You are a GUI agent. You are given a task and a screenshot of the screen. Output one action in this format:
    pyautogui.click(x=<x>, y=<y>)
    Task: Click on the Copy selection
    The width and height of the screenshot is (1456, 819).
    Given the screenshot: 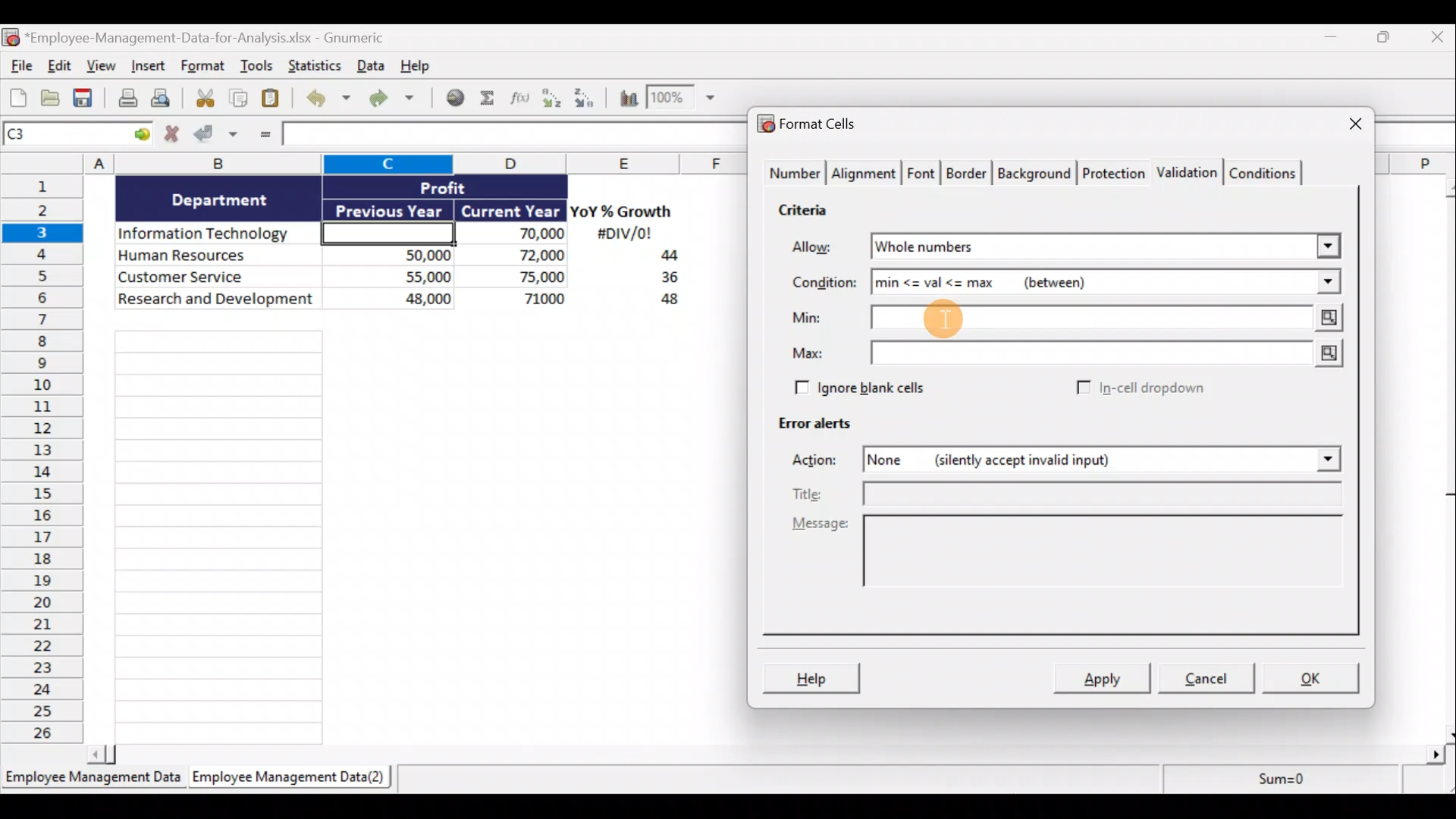 What is the action you would take?
    pyautogui.click(x=239, y=99)
    